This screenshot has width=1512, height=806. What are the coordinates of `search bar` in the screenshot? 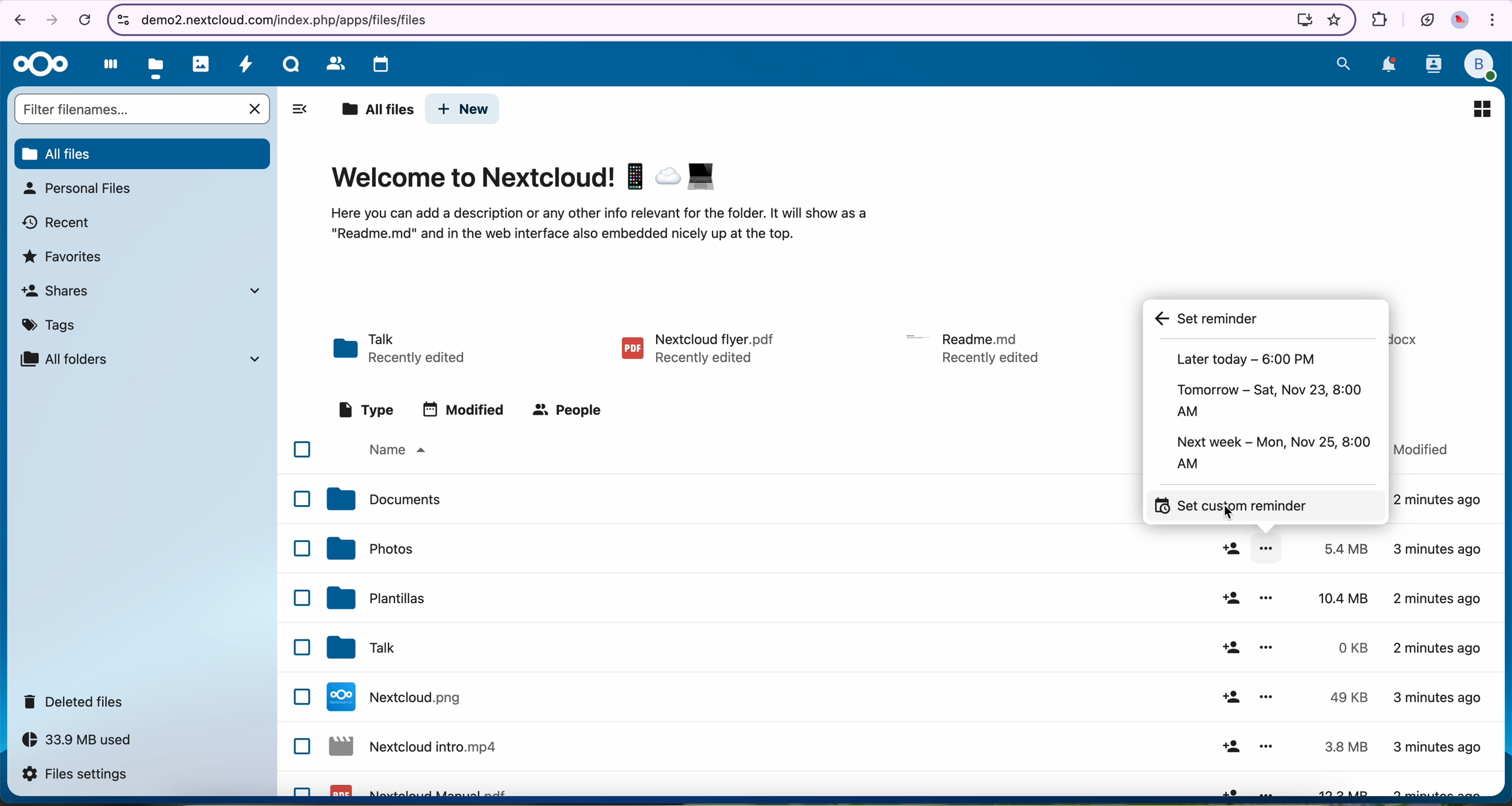 It's located at (140, 108).